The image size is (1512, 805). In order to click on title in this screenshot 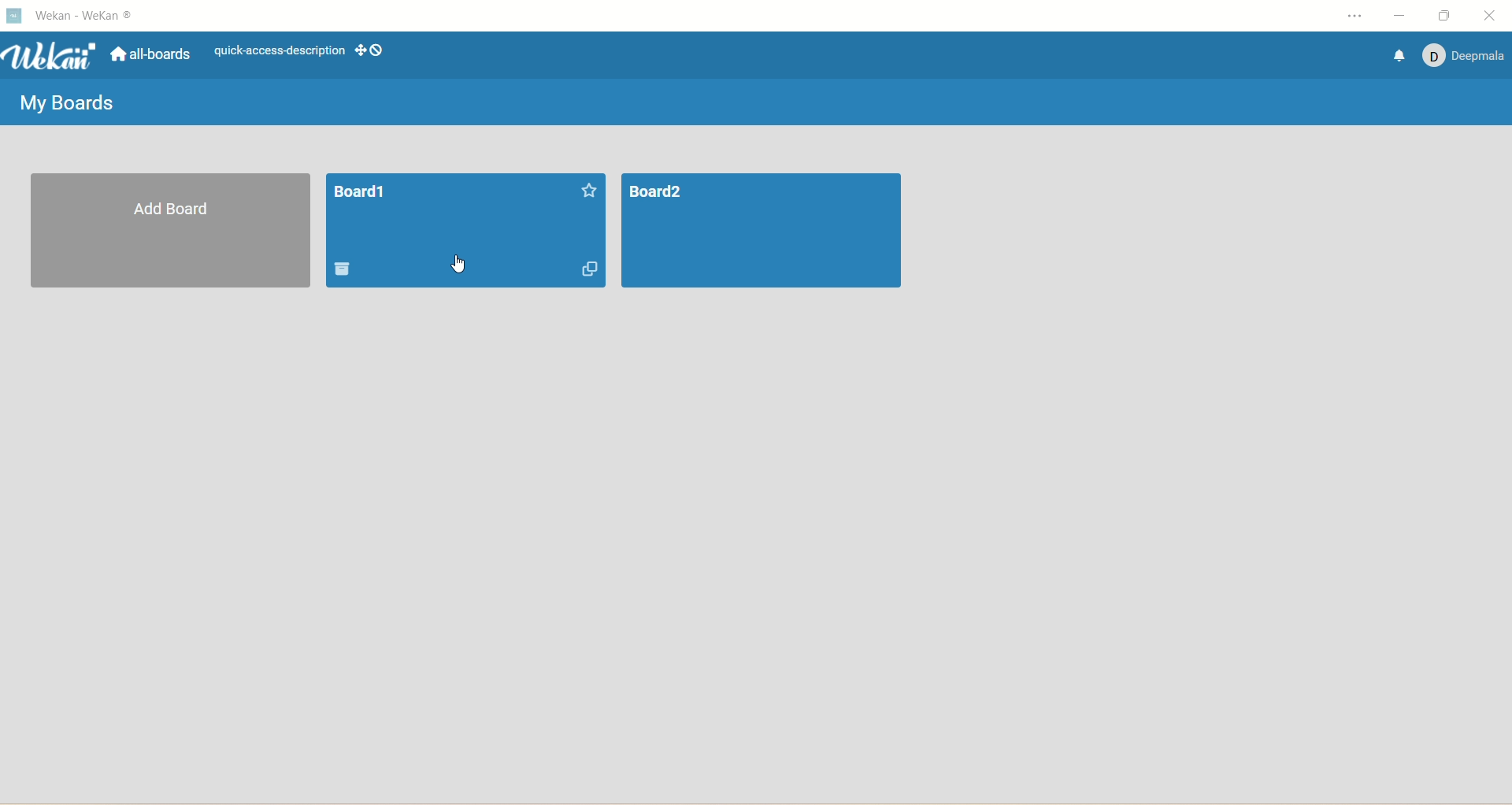, I will do `click(91, 16)`.